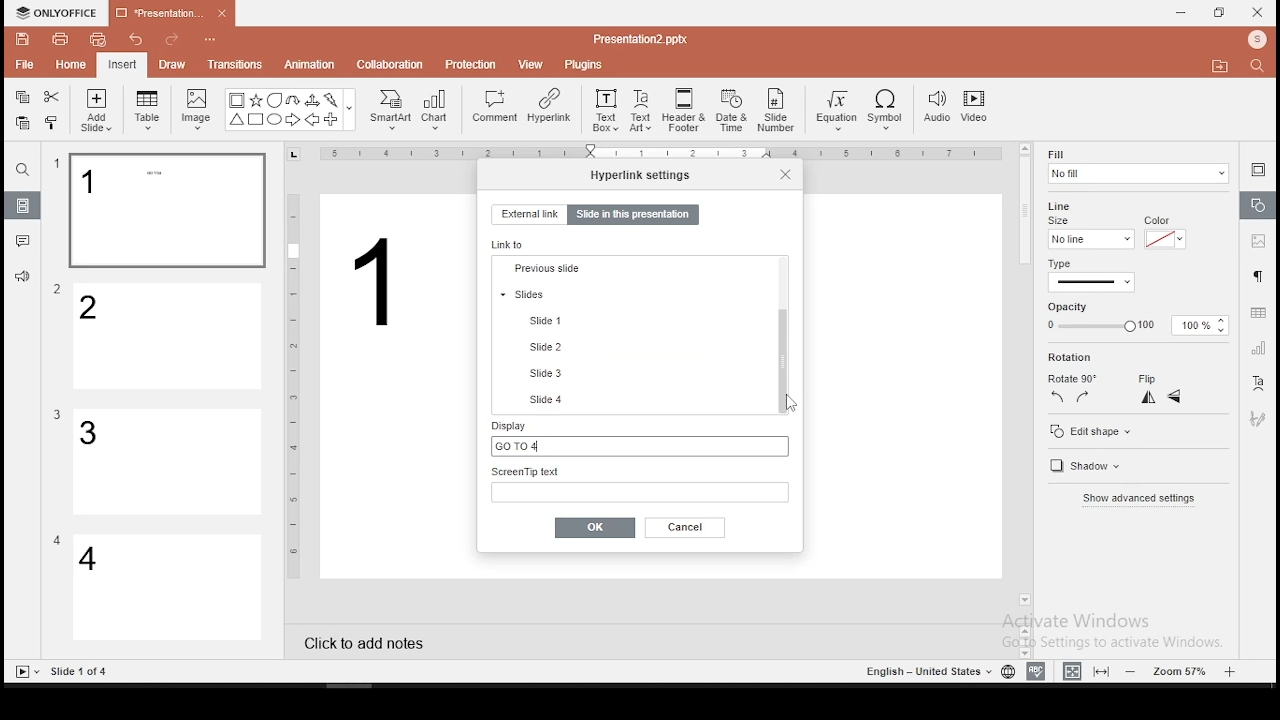 This screenshot has width=1280, height=720. Describe the element at coordinates (732, 110) in the screenshot. I see `date and time` at that location.